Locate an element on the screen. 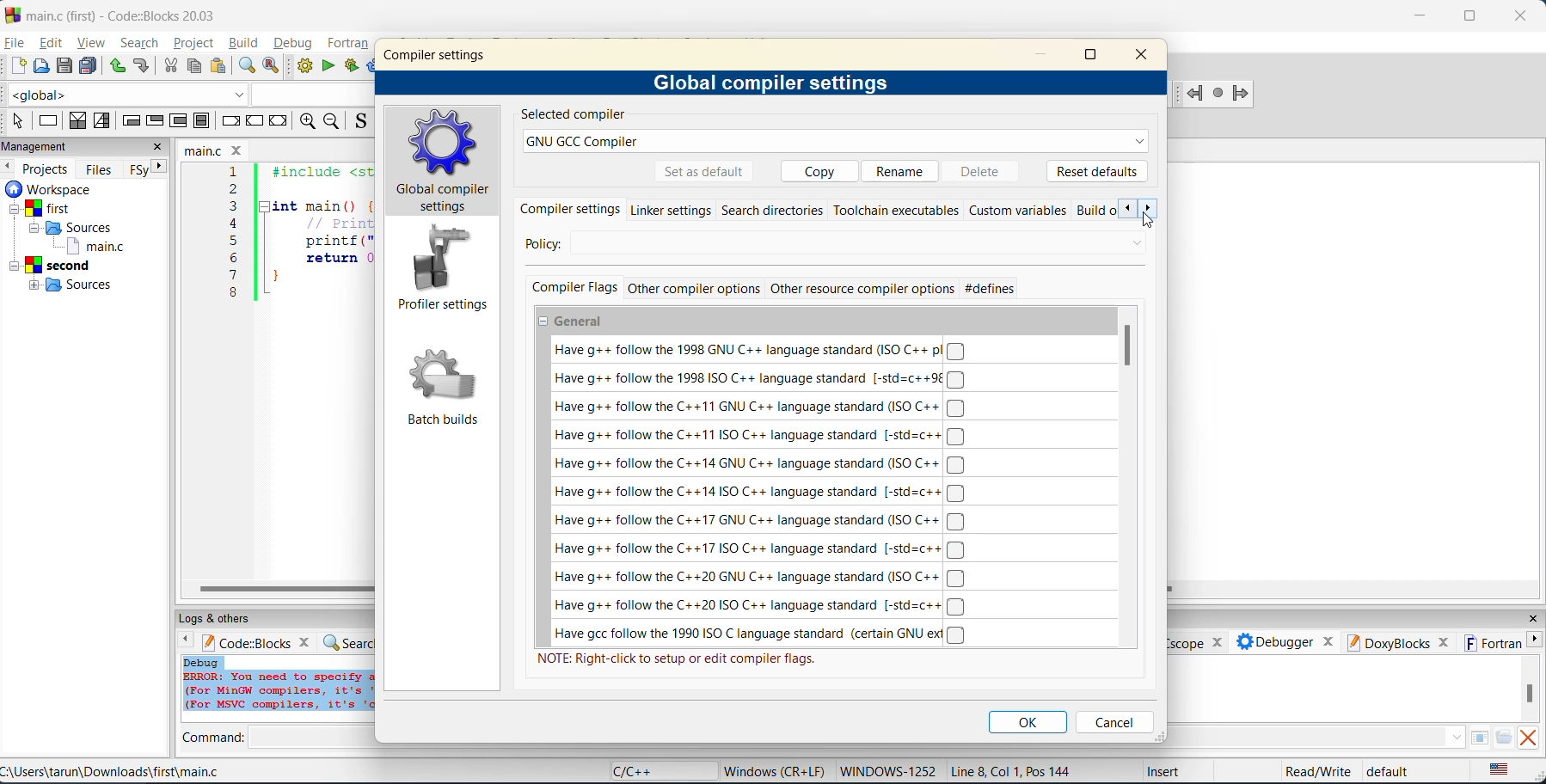 The width and height of the screenshot is (1546, 784). file is located at coordinates (15, 43).